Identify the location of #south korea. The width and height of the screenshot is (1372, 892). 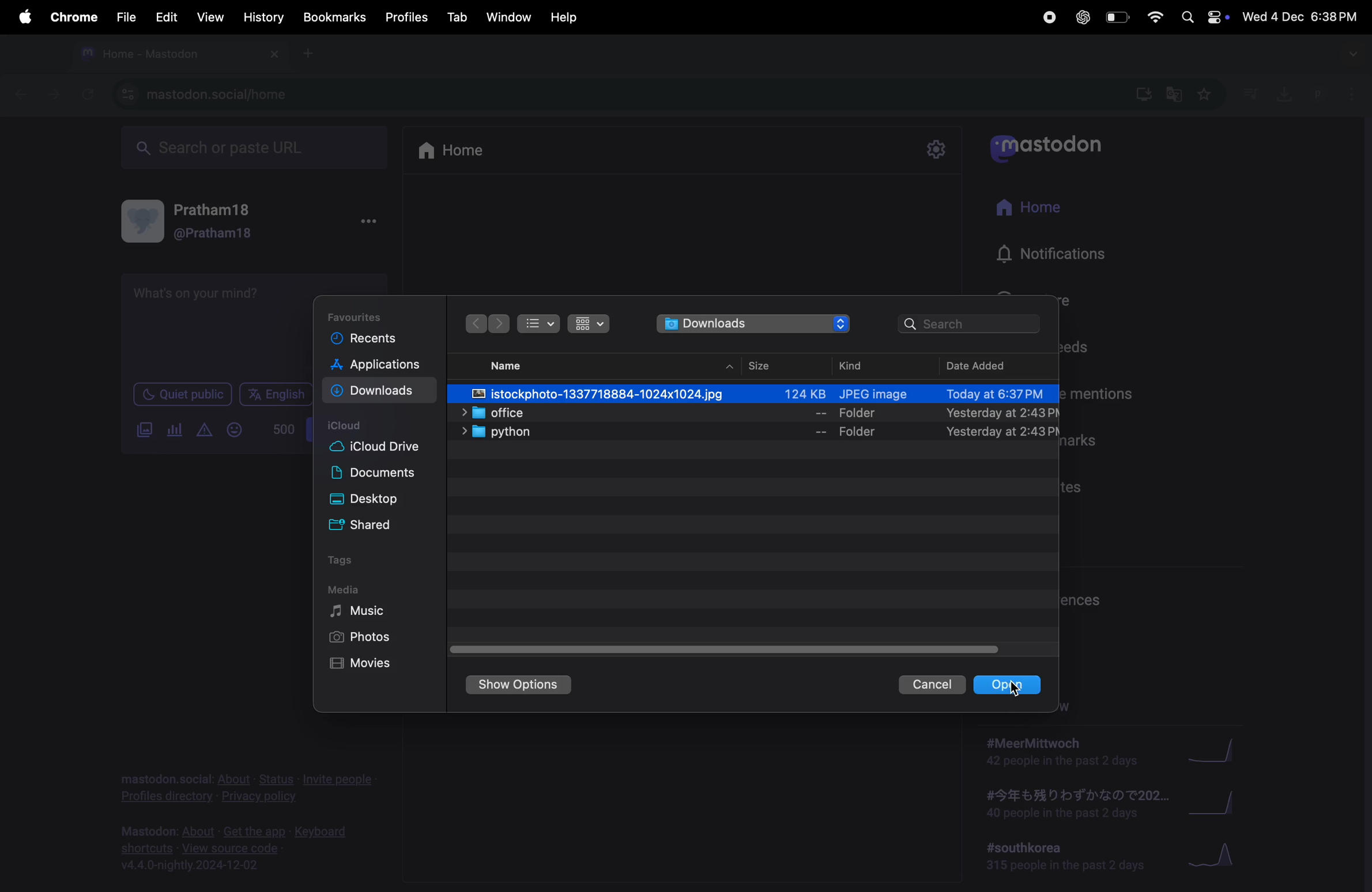
(1062, 858).